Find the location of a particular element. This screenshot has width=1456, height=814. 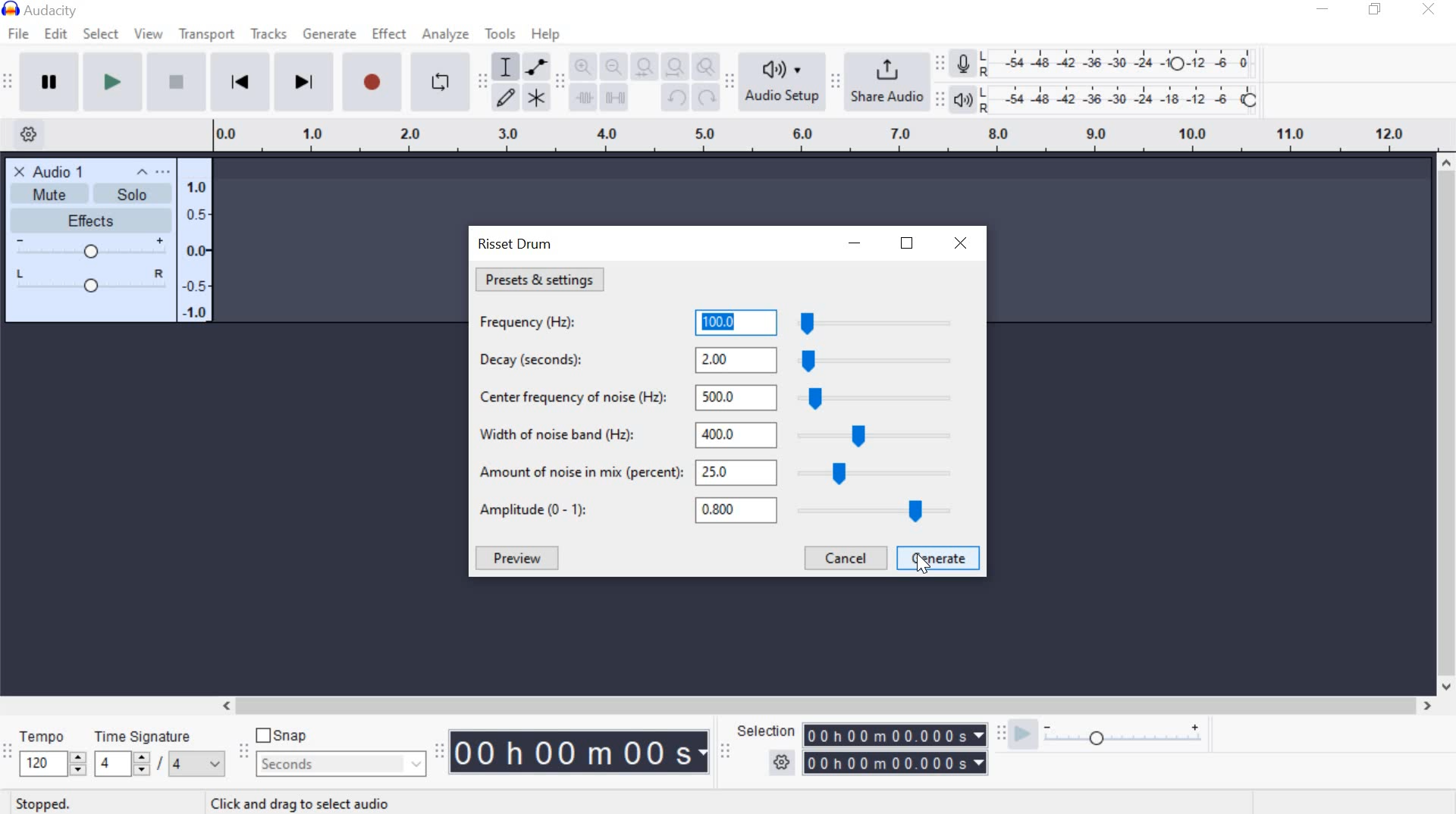

Snapping toolbar is located at coordinates (247, 753).